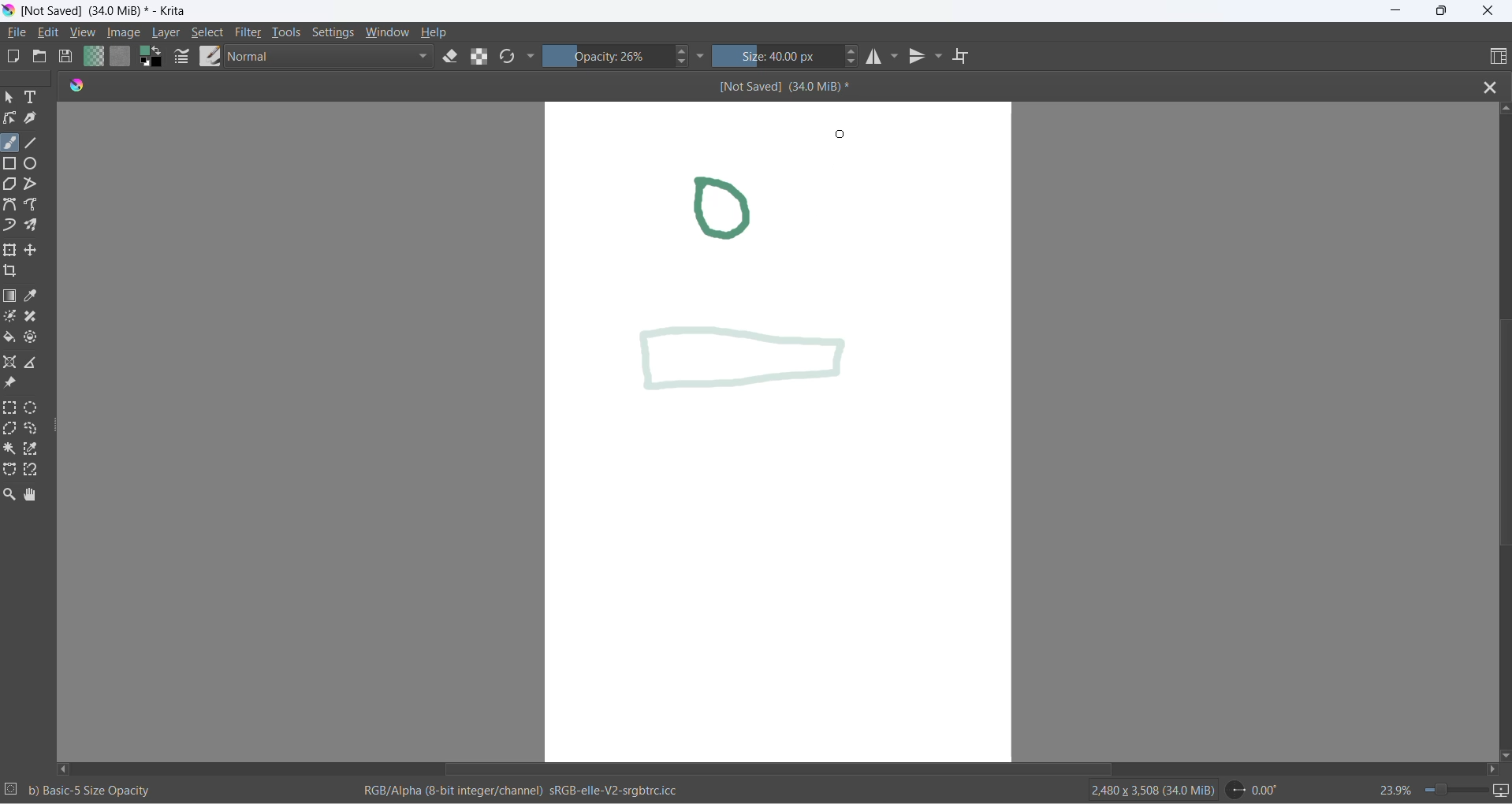  I want to click on layer, so click(167, 32).